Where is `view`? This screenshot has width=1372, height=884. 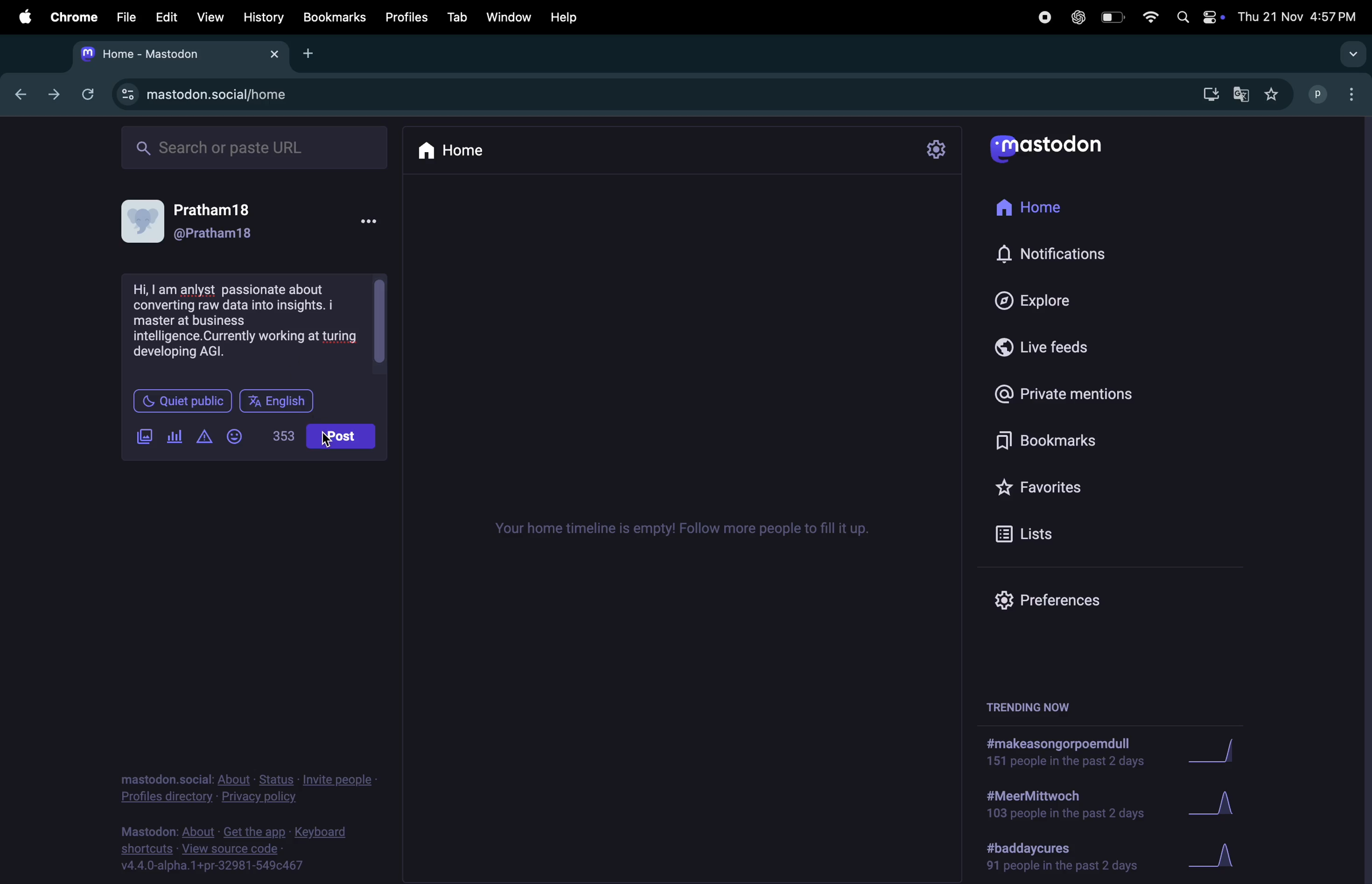
view is located at coordinates (209, 17).